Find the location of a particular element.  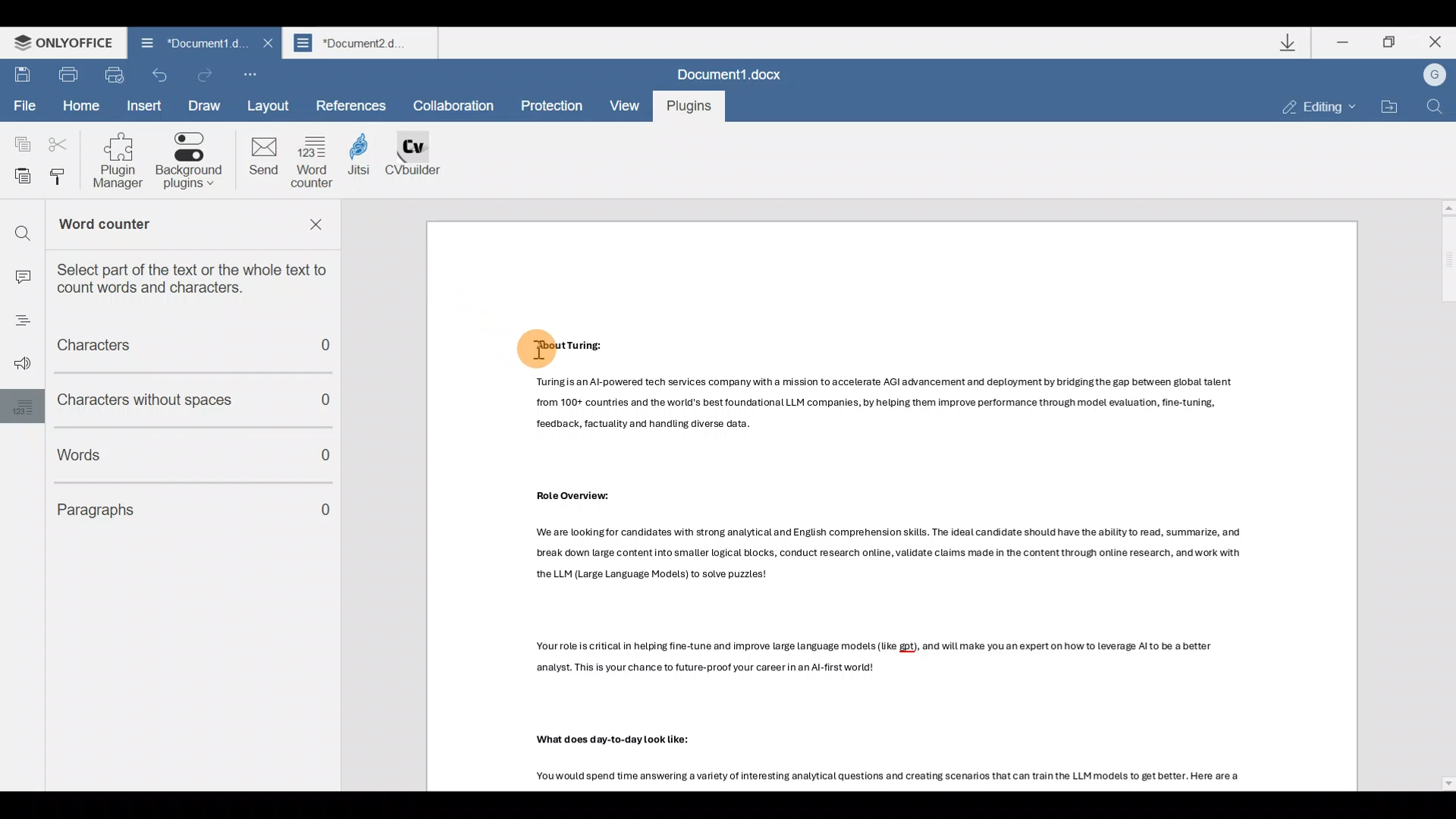

Quick print is located at coordinates (114, 74).